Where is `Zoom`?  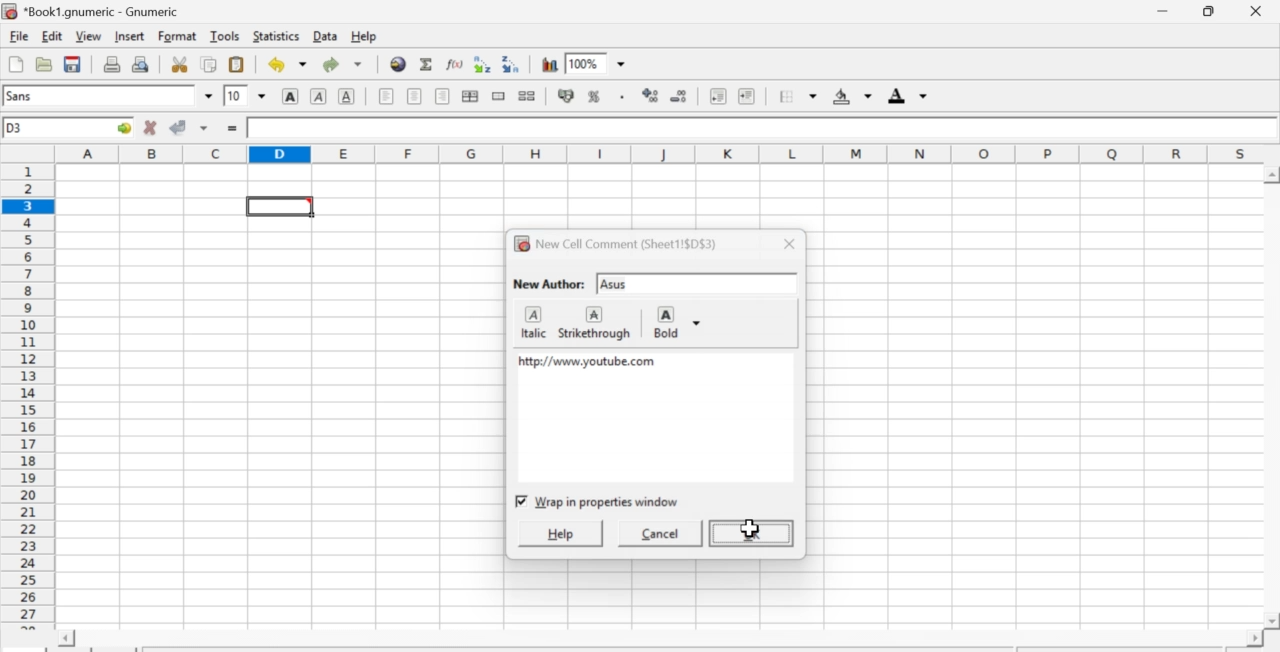
Zoom is located at coordinates (586, 62).